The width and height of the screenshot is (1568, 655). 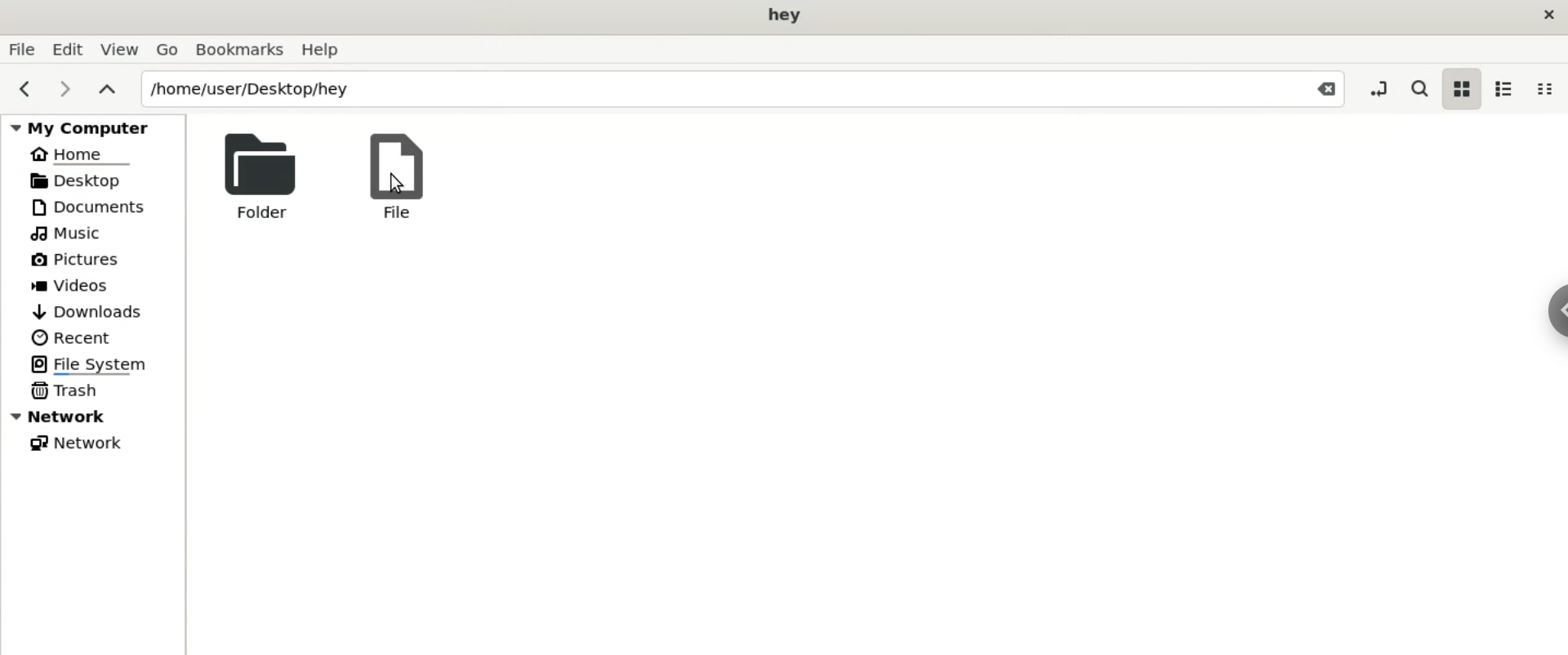 What do you see at coordinates (1460, 90) in the screenshot?
I see `icon view` at bounding box center [1460, 90].